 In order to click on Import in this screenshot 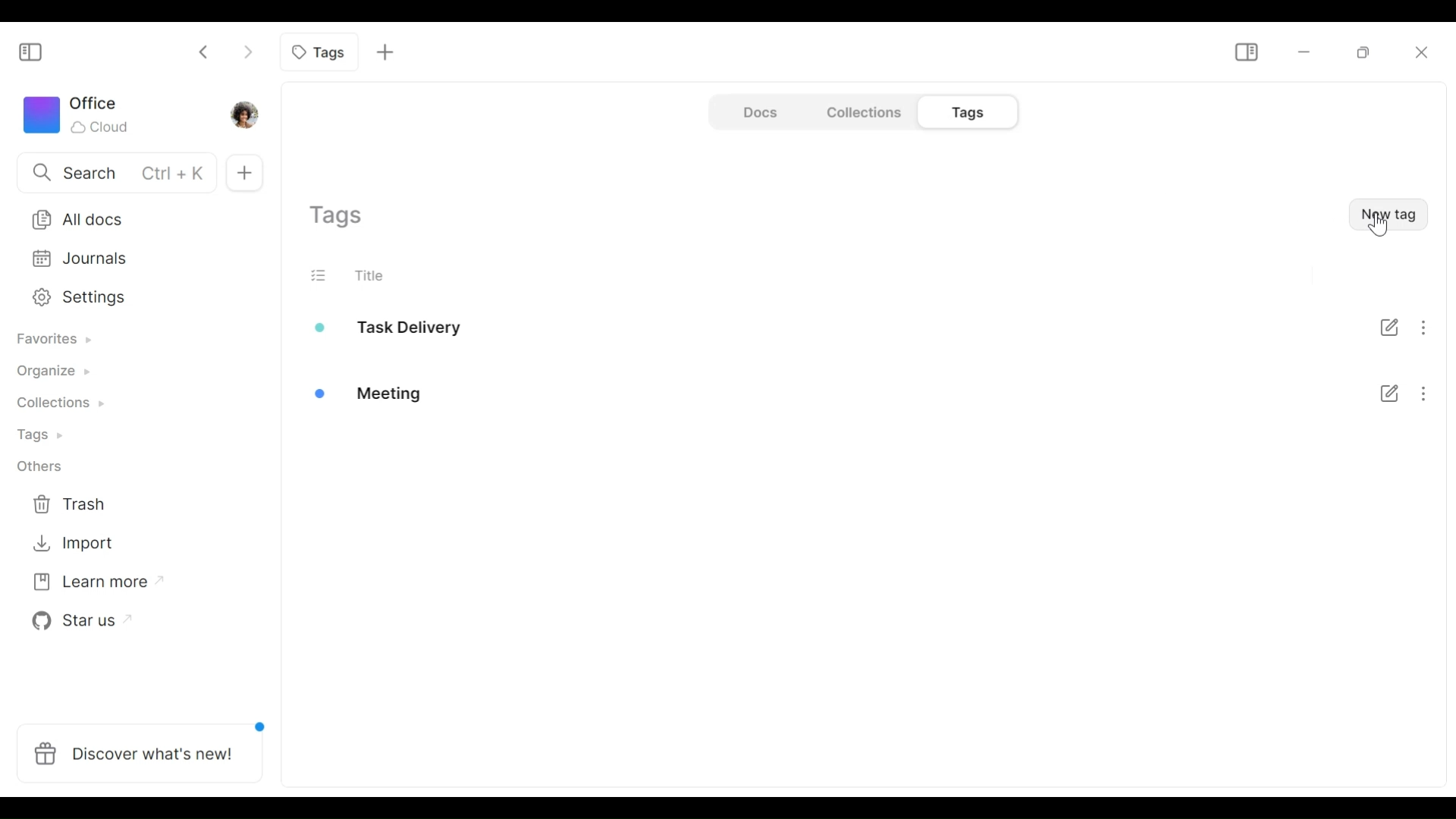, I will do `click(78, 546)`.